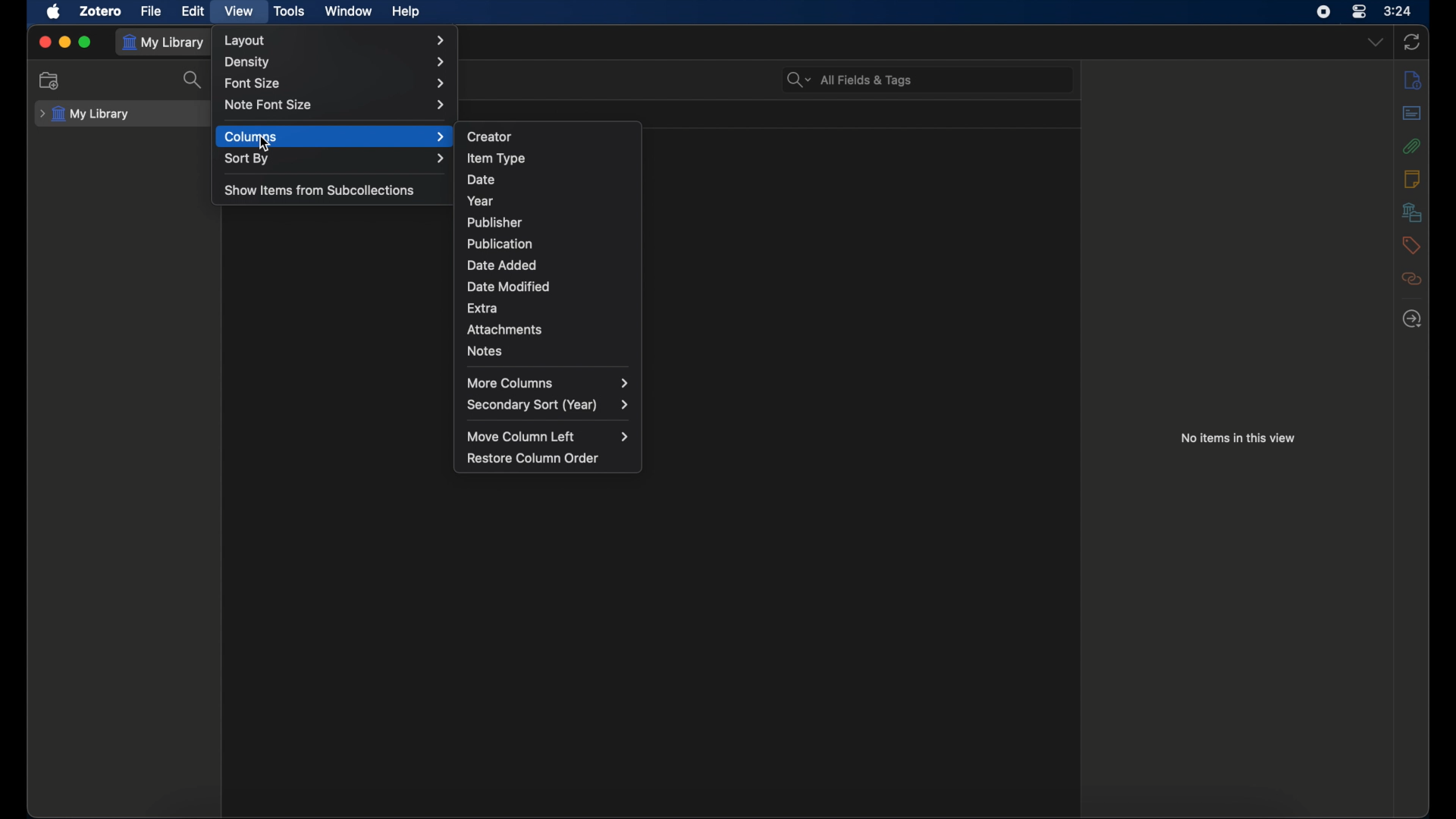 This screenshot has height=819, width=1456. Describe the element at coordinates (1376, 42) in the screenshot. I see `dropdown` at that location.